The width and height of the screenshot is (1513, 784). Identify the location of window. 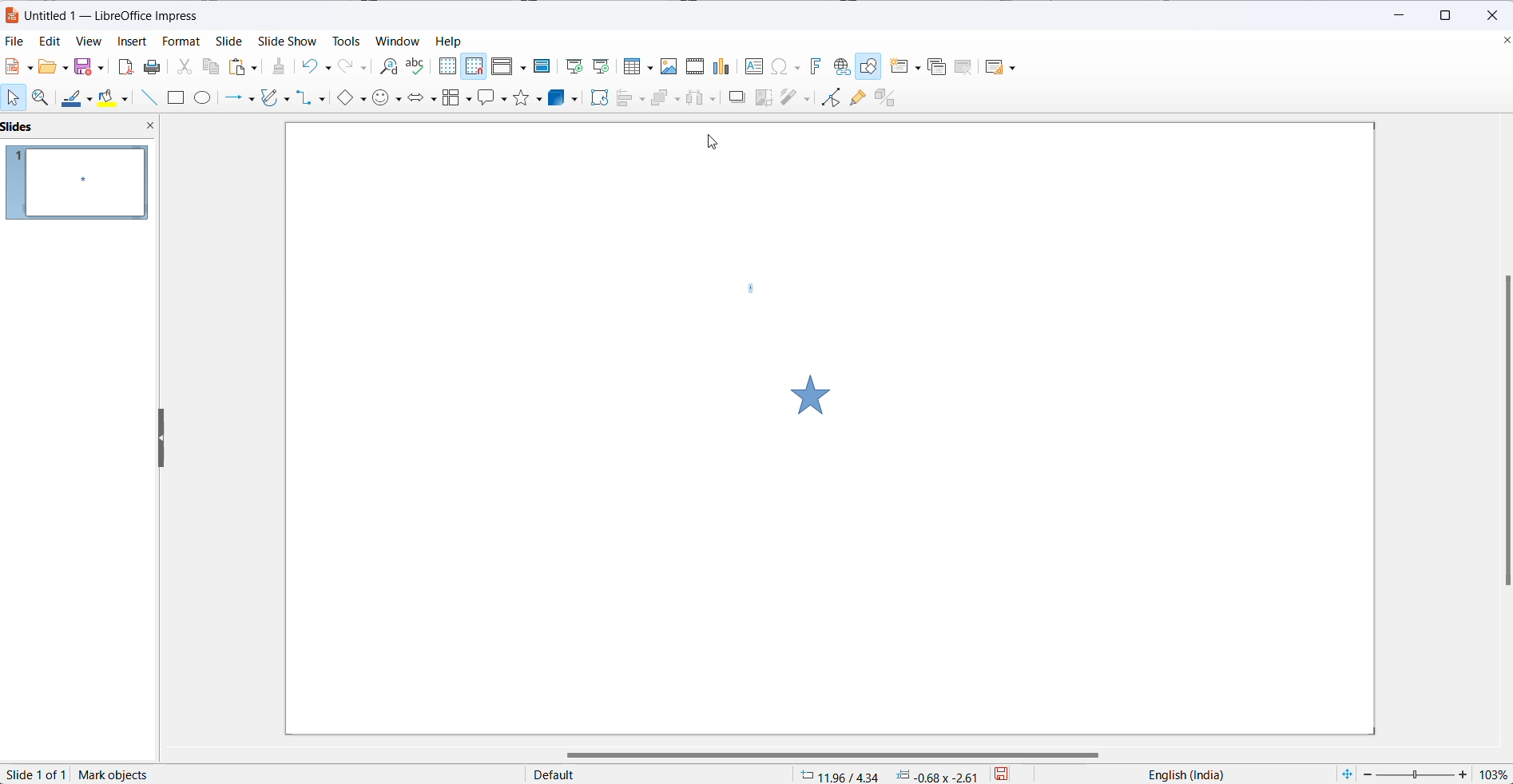
(398, 42).